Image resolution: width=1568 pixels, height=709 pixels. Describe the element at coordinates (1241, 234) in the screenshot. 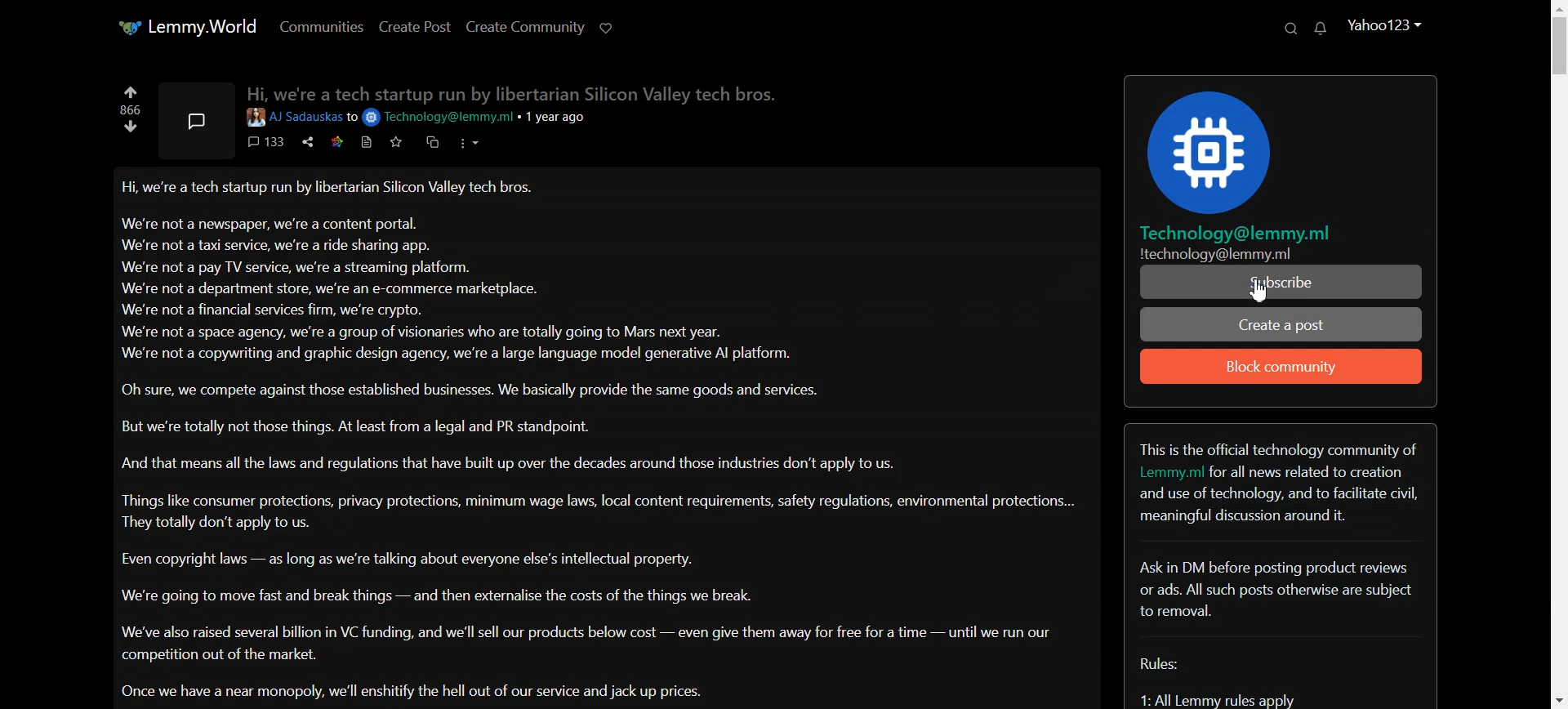

I see `Technology@lemmy.ml` at that location.